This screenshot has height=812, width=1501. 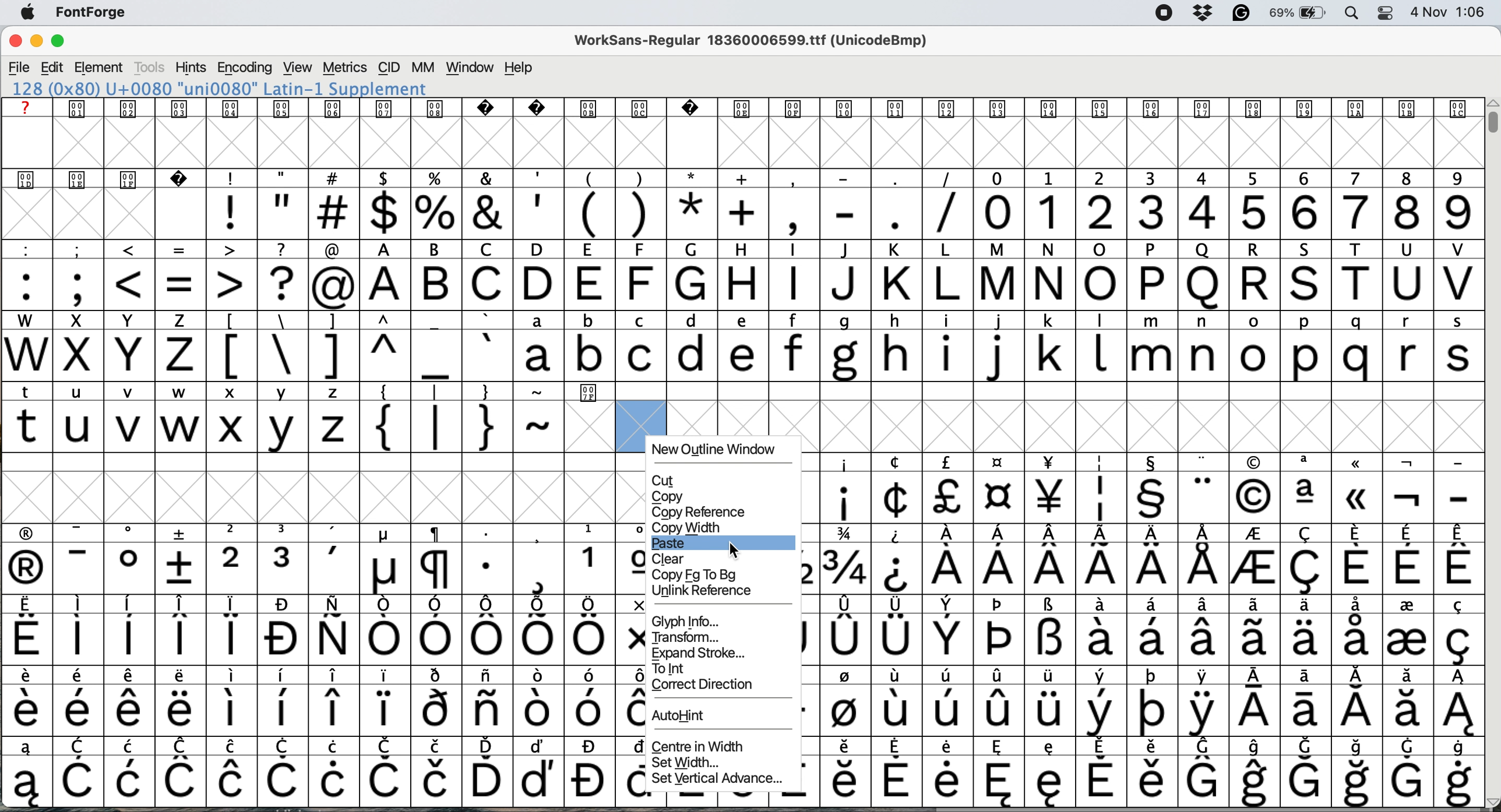 What do you see at coordinates (738, 249) in the screenshot?
I see `special characters and text` at bounding box center [738, 249].